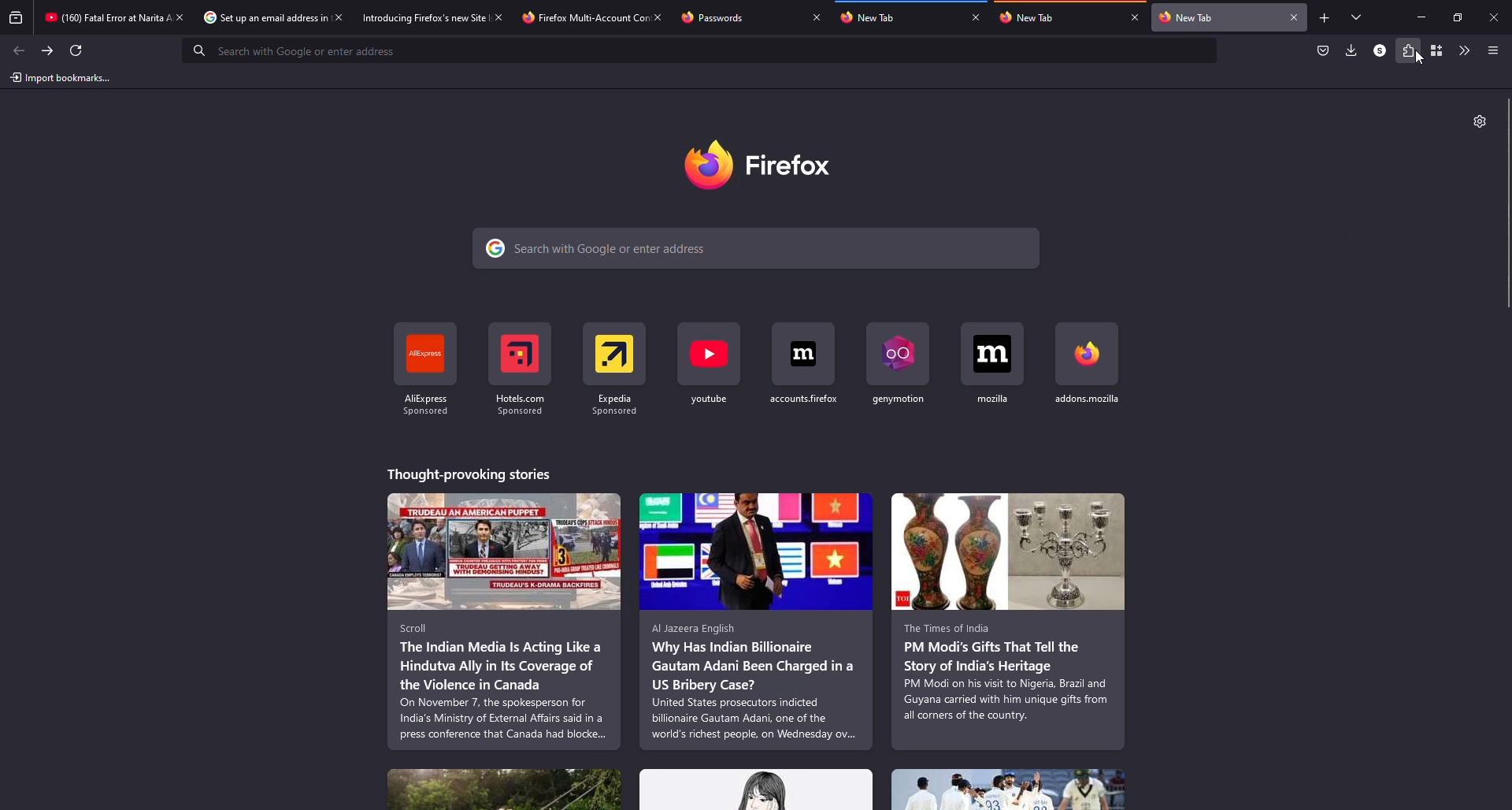 This screenshot has height=810, width=1512. Describe the element at coordinates (76, 50) in the screenshot. I see `refresh` at that location.